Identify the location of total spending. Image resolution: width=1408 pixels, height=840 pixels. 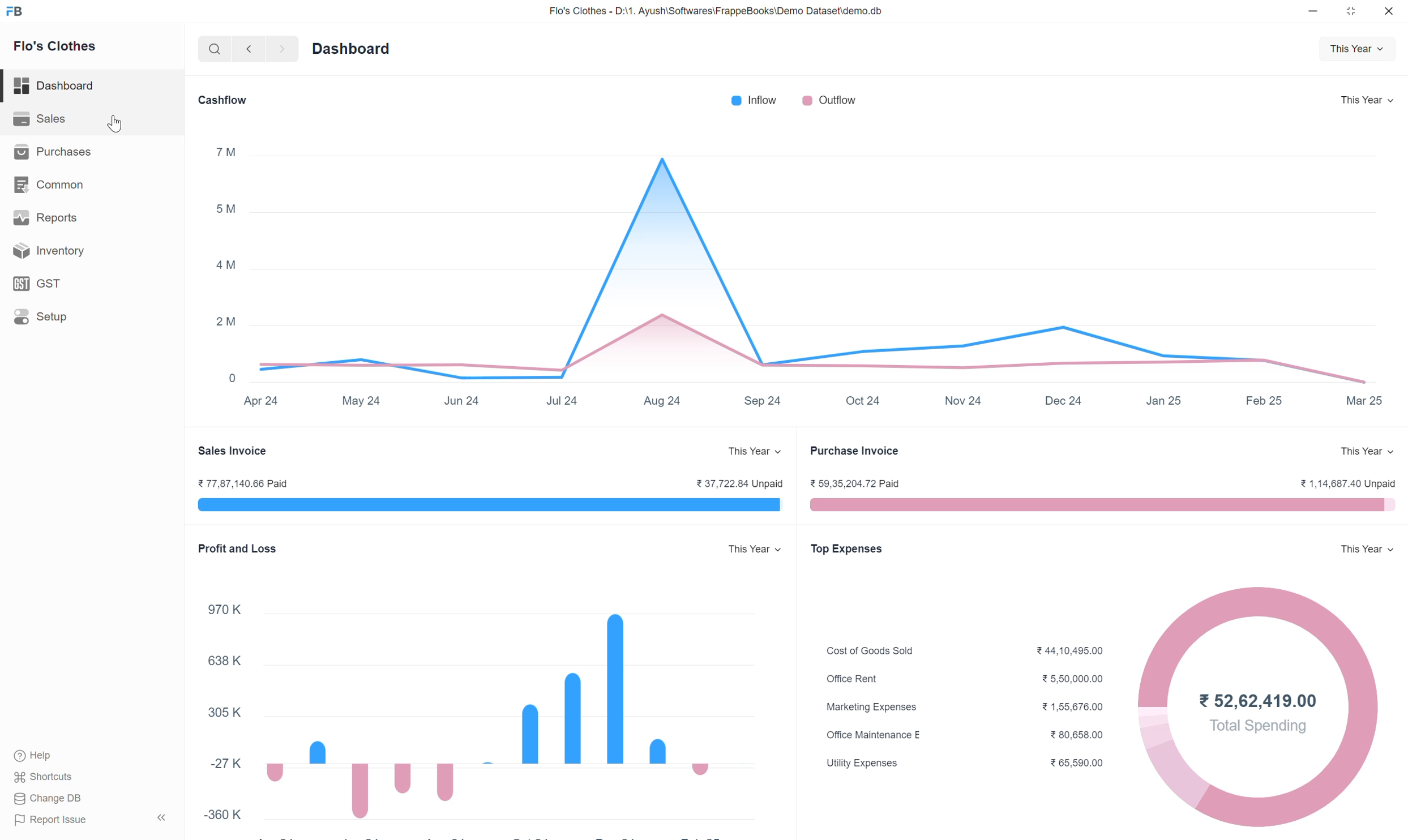
(1261, 727).